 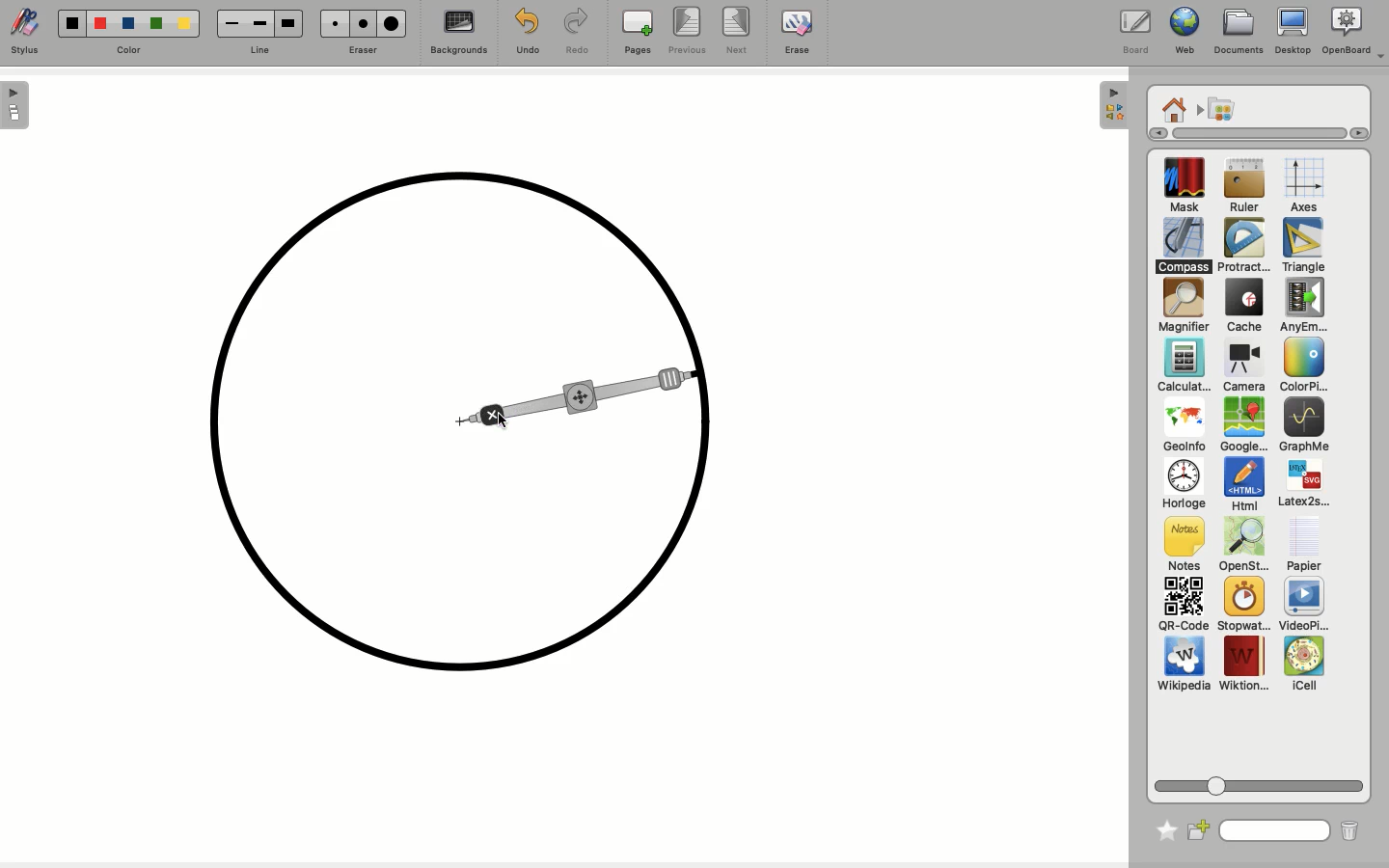 What do you see at coordinates (456, 420) in the screenshot?
I see `perfect circle` at bounding box center [456, 420].